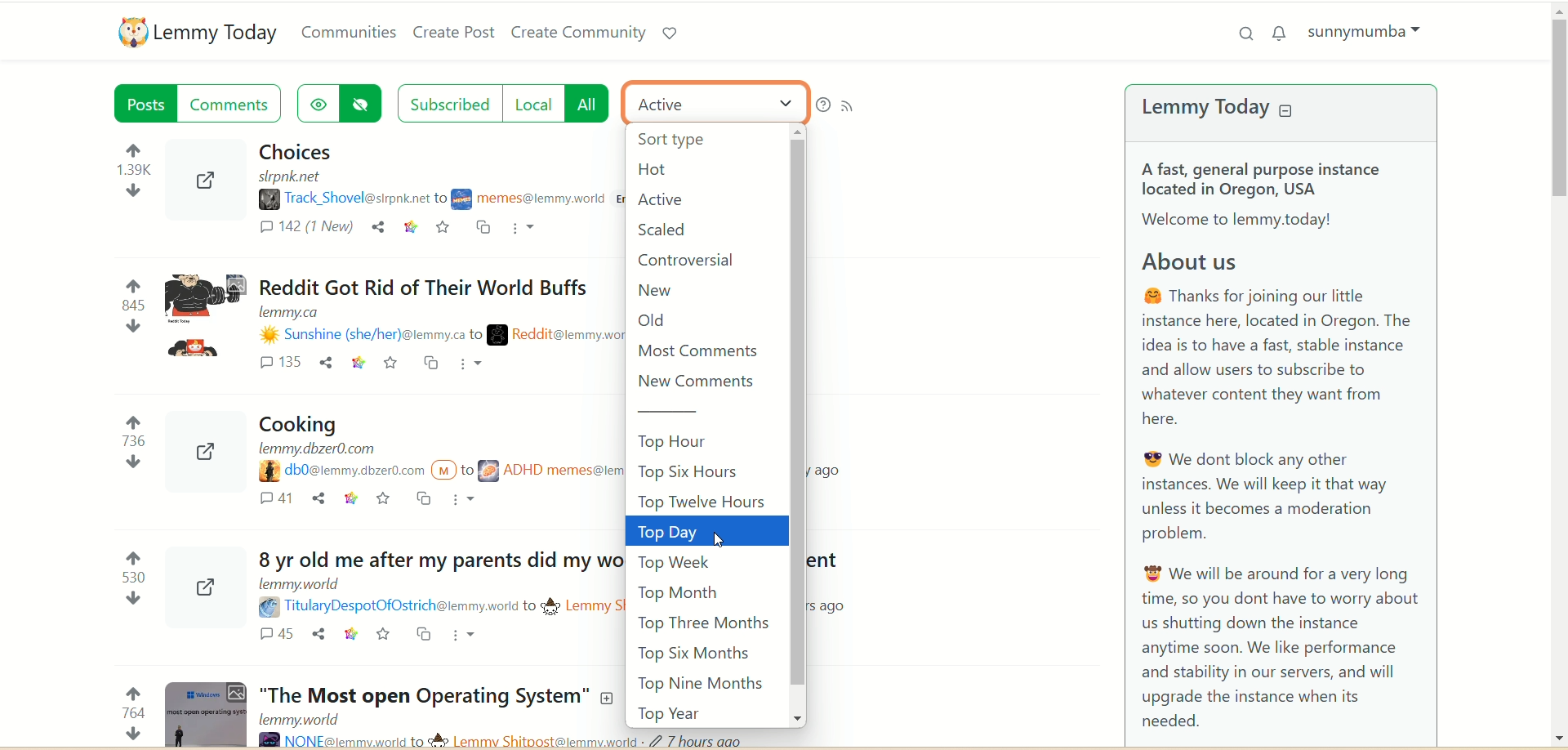 This screenshot has width=1568, height=750. I want to click on posts, so click(148, 106).